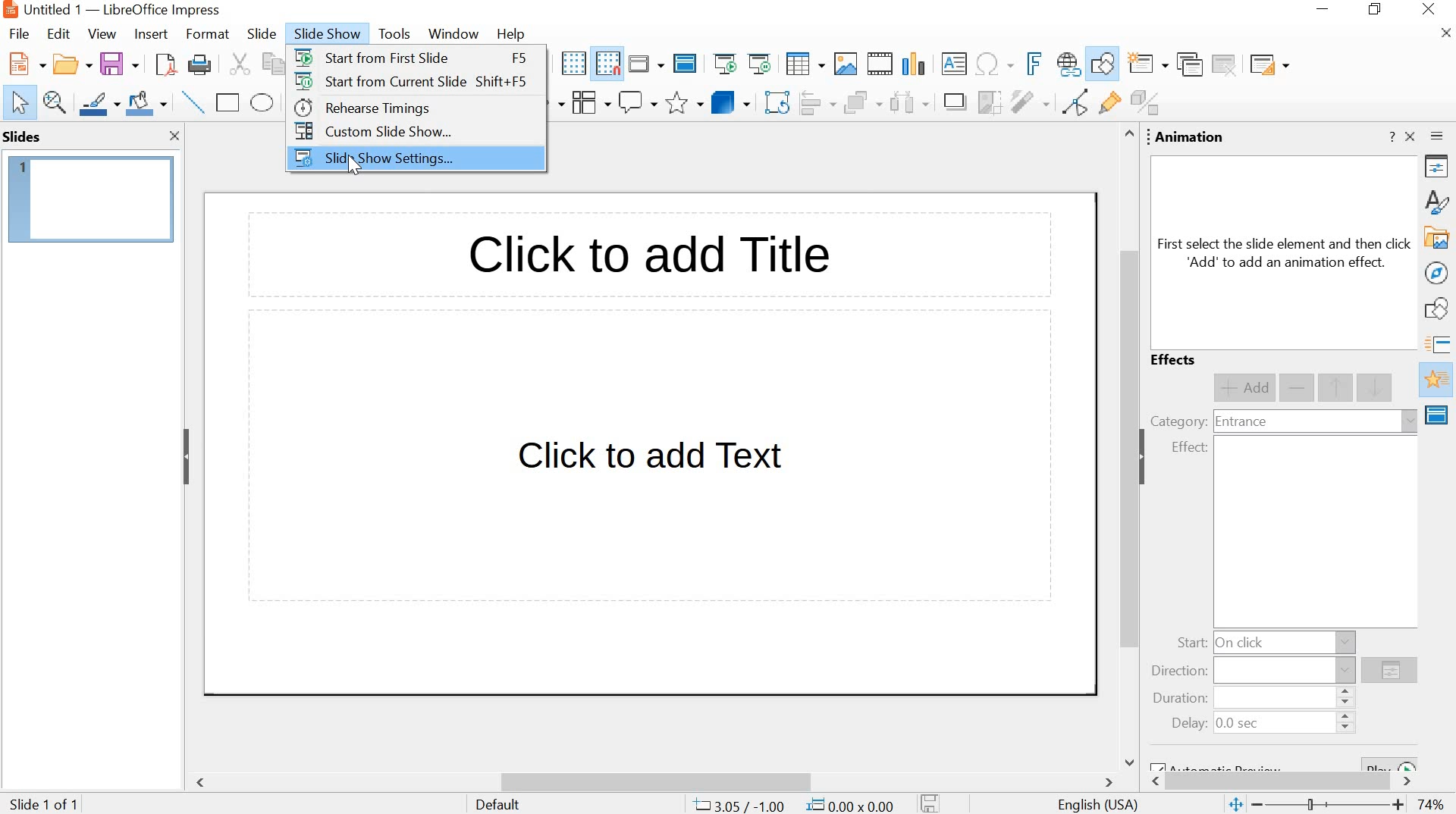  What do you see at coordinates (1176, 700) in the screenshot?
I see `duration` at bounding box center [1176, 700].